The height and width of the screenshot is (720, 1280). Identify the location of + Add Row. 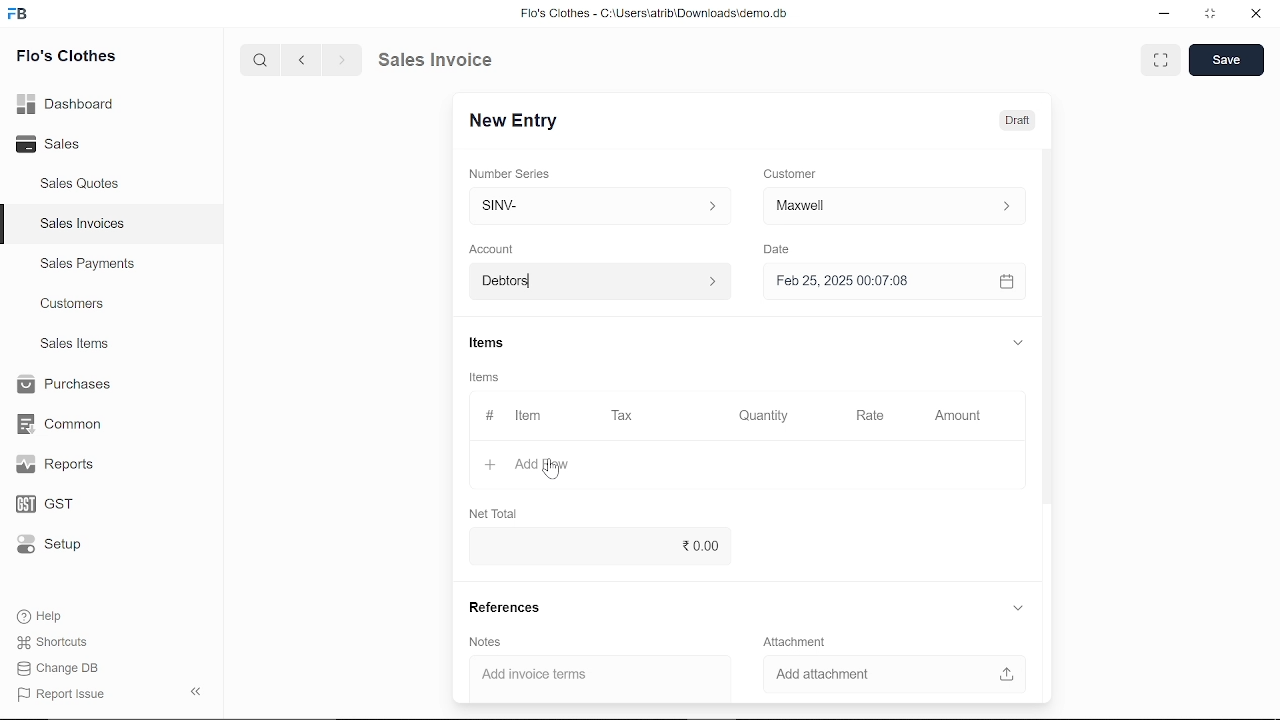
(532, 464).